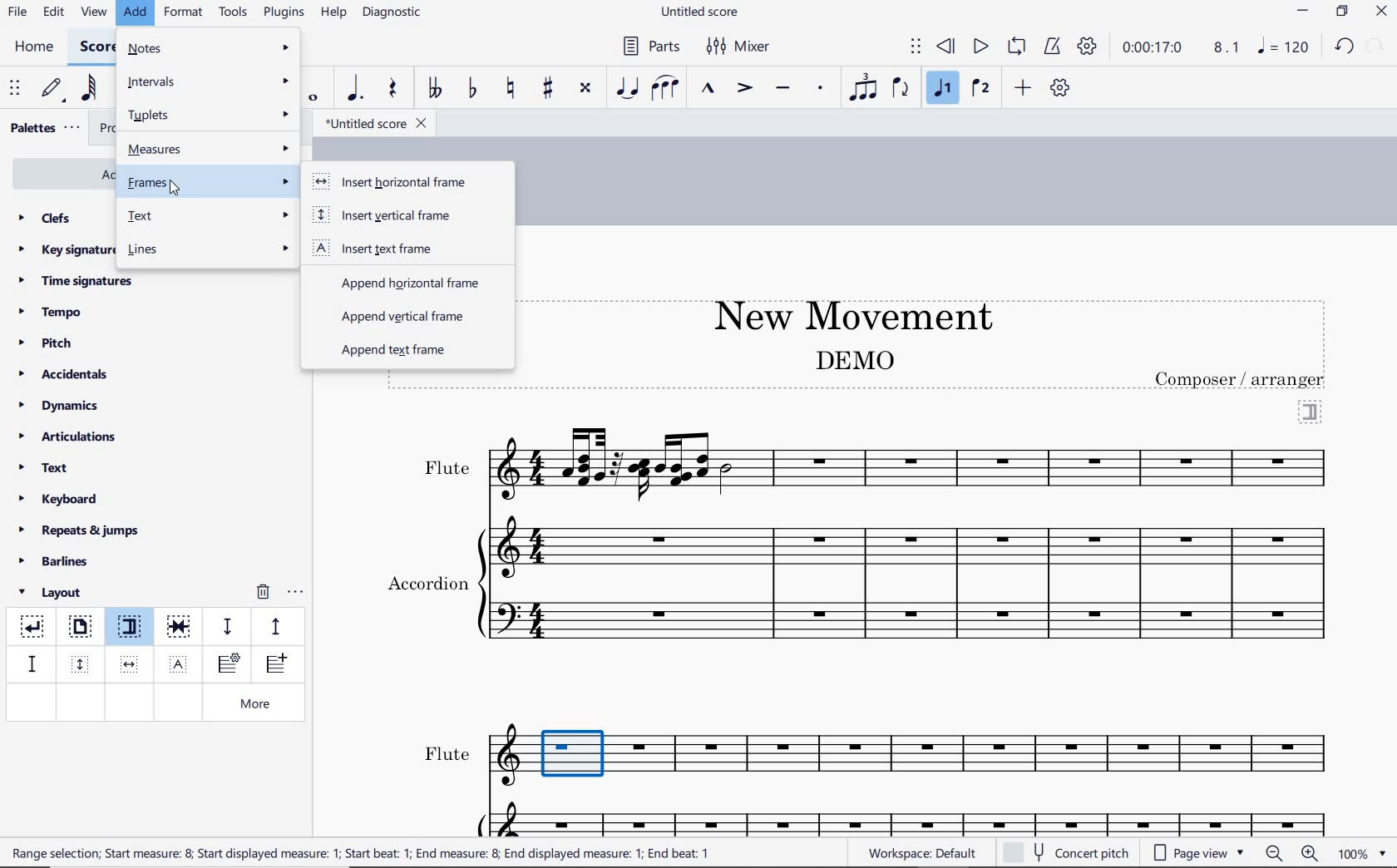 This screenshot has height=868, width=1397. What do you see at coordinates (845, 313) in the screenshot?
I see `title` at bounding box center [845, 313].